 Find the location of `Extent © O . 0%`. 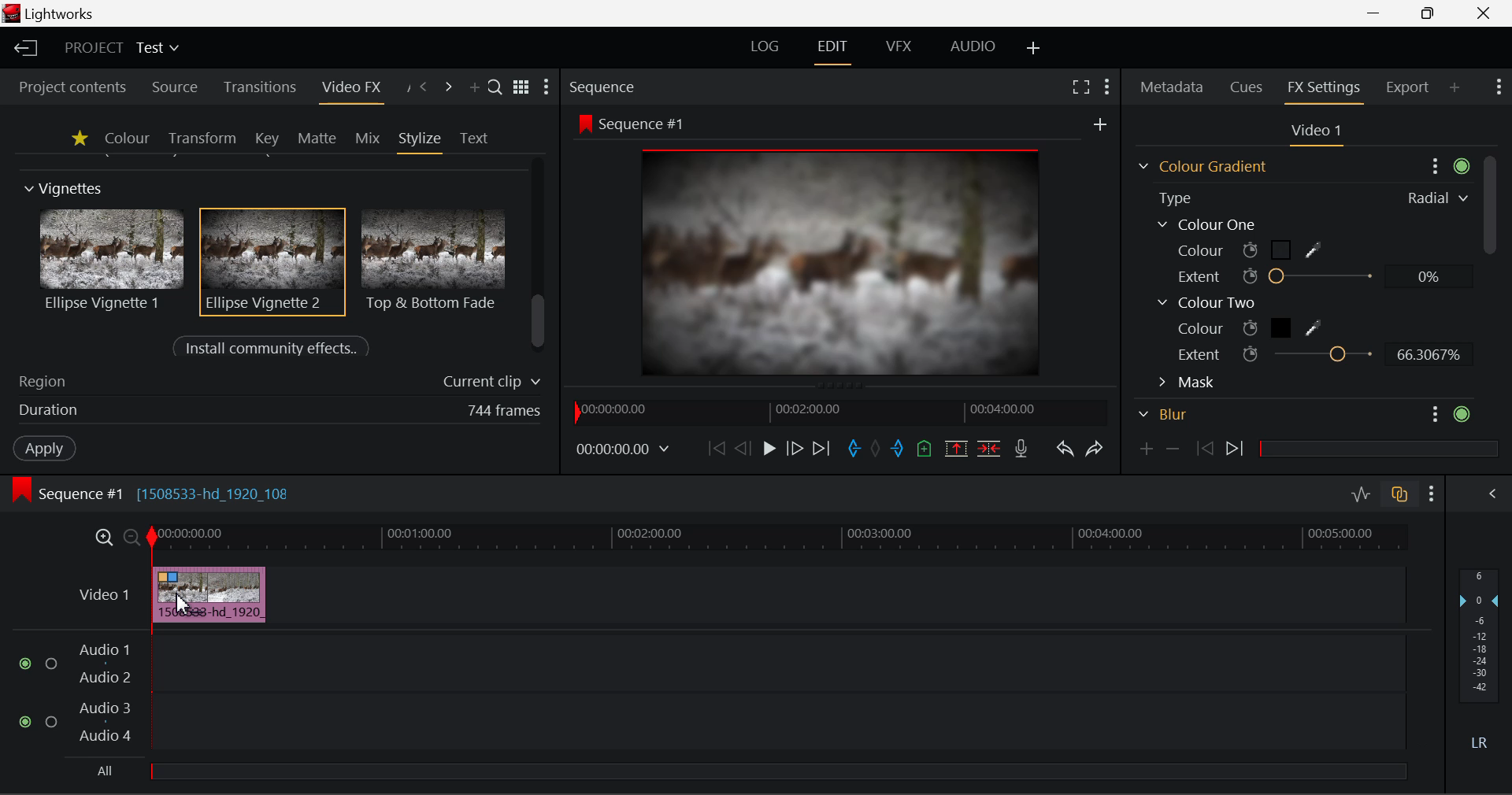

Extent © O . 0% is located at coordinates (1310, 276).